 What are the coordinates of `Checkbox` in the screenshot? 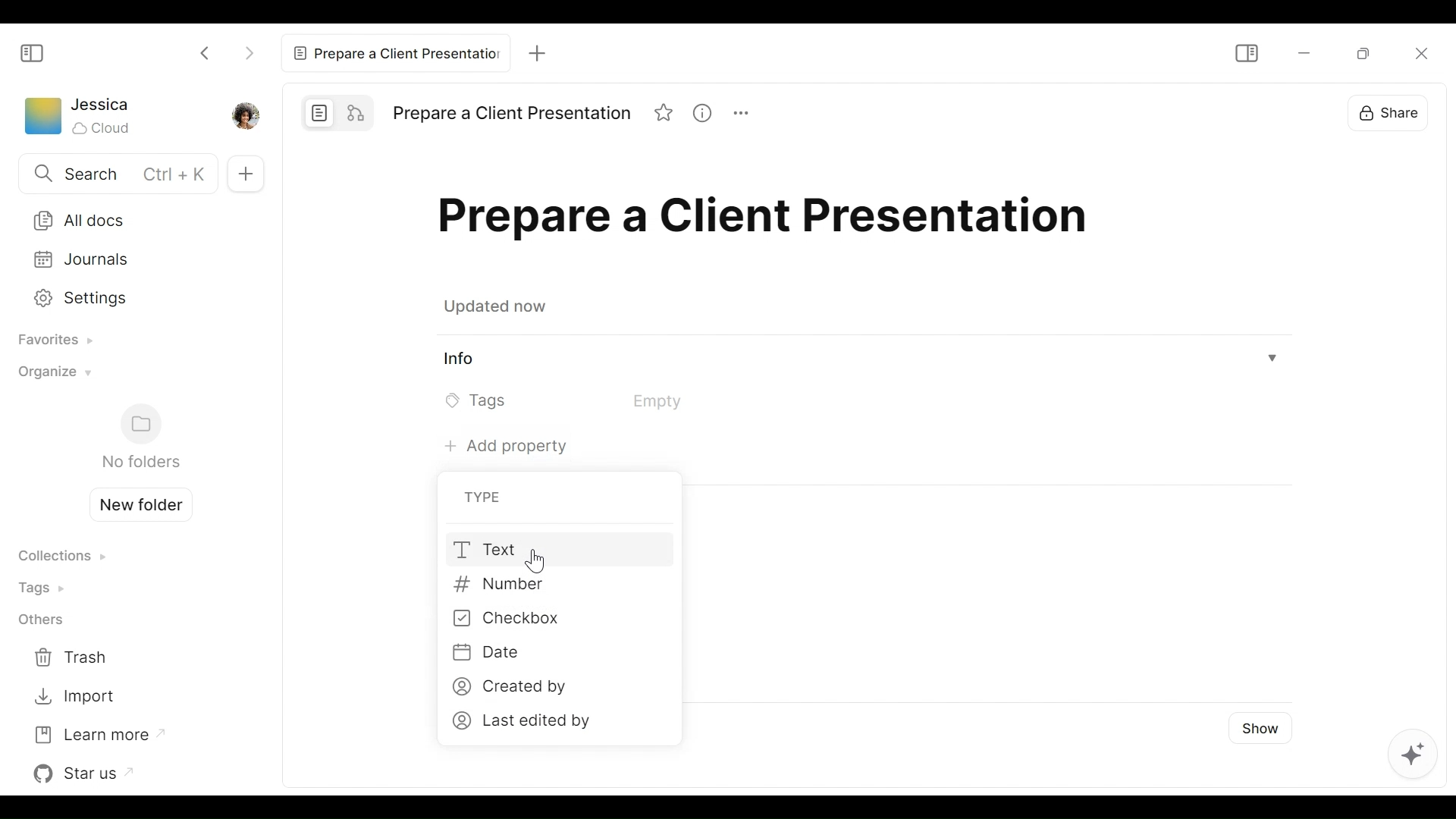 It's located at (554, 619).